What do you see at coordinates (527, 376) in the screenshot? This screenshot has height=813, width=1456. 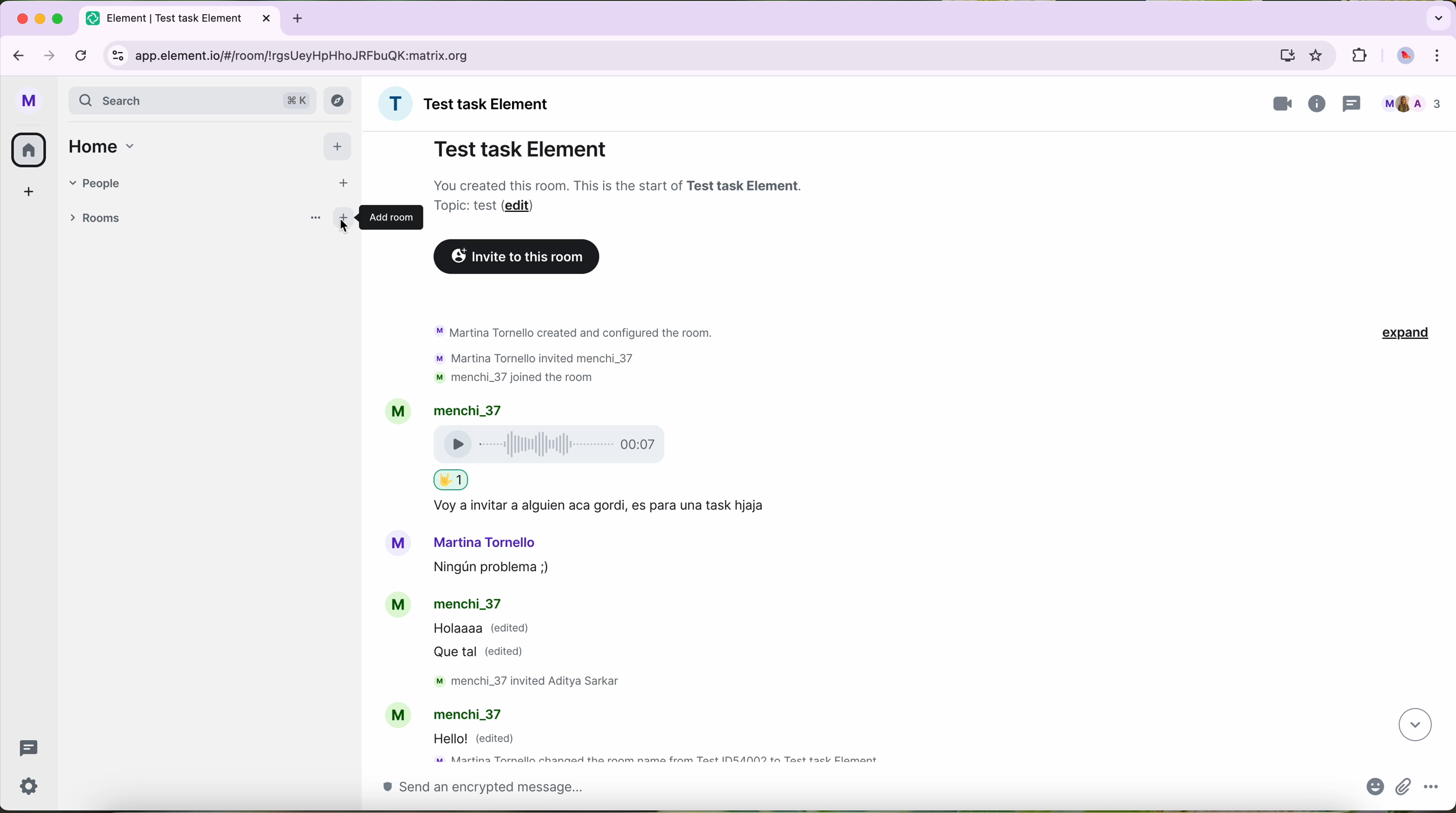 I see `text` at bounding box center [527, 376].